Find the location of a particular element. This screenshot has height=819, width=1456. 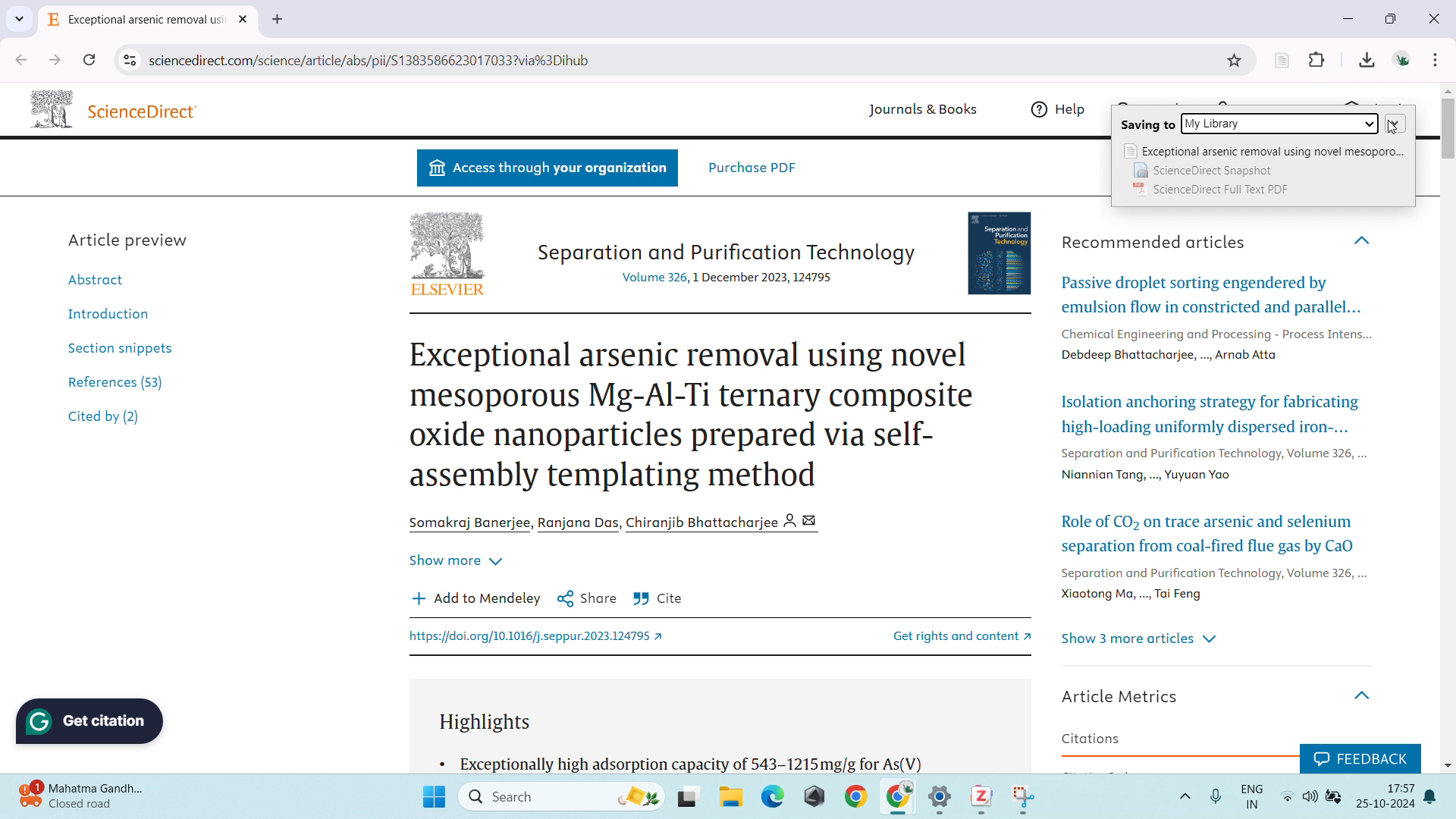

https://doi.org/10.1016/j.seppur.2023.124795 2 is located at coordinates (541, 638).